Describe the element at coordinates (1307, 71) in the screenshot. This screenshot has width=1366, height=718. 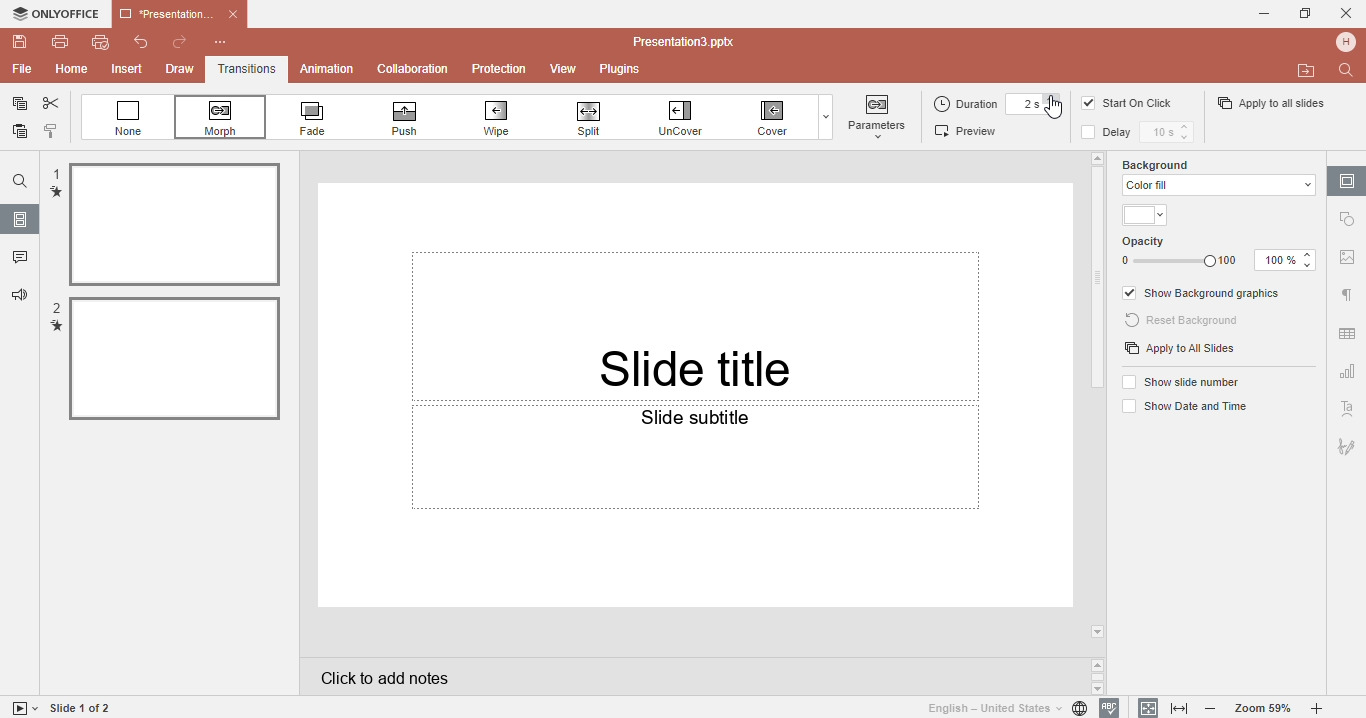
I see `Open file` at that location.